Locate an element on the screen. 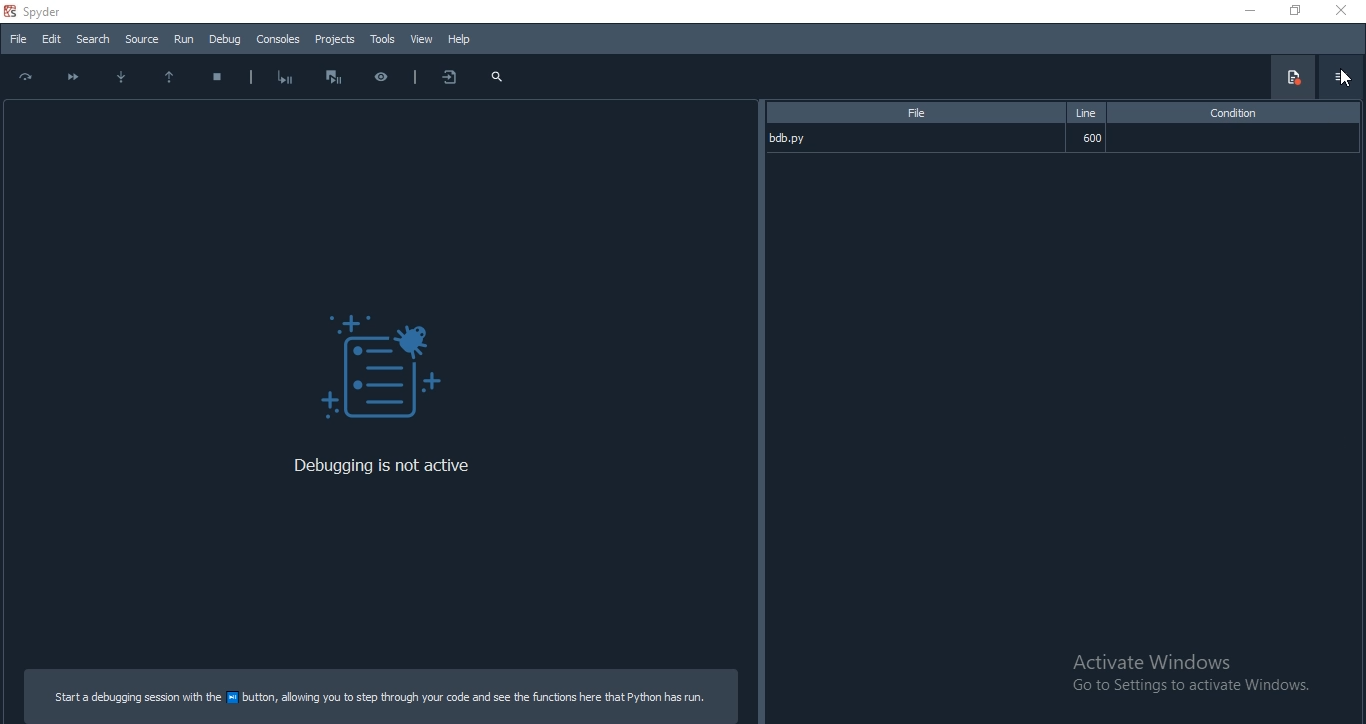  Run is located at coordinates (184, 39).